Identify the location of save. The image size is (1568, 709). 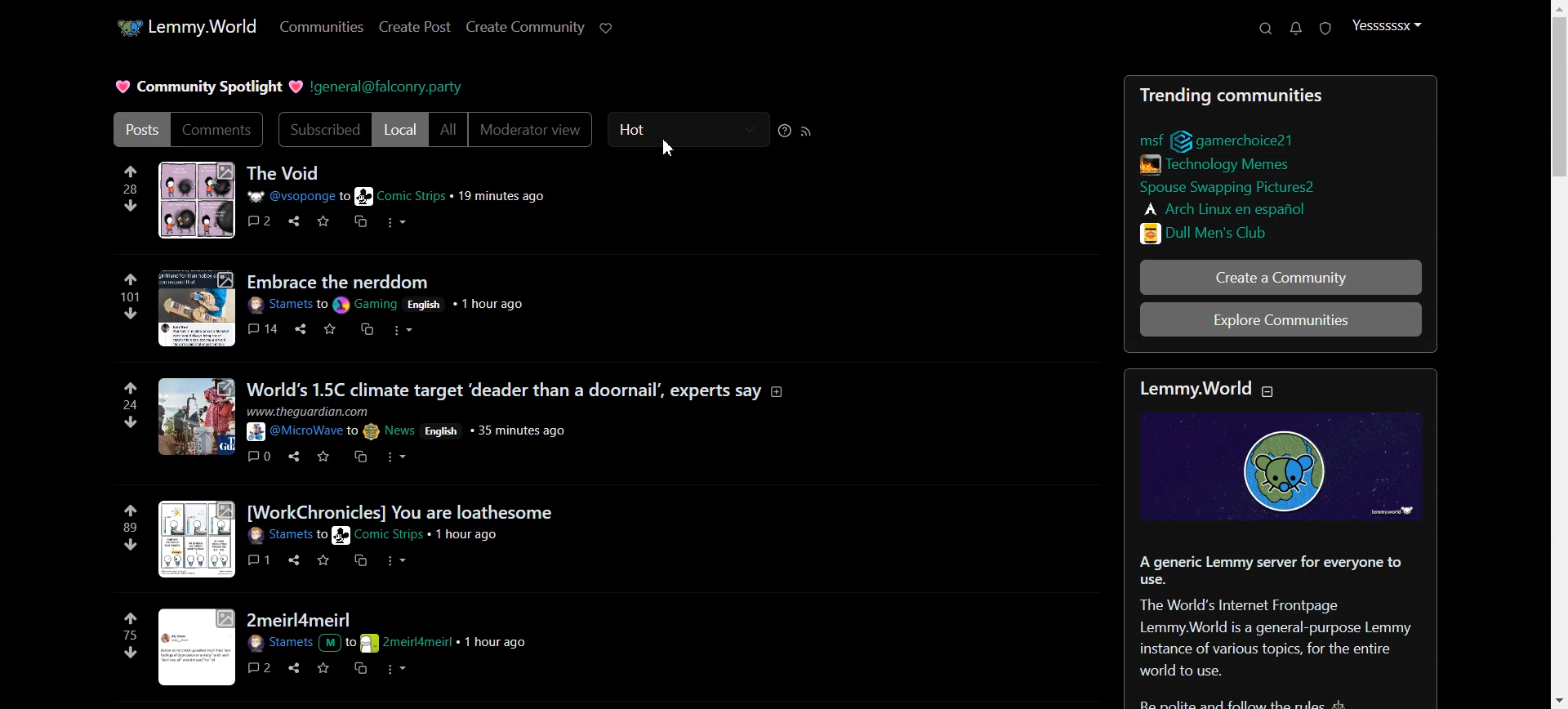
(325, 454).